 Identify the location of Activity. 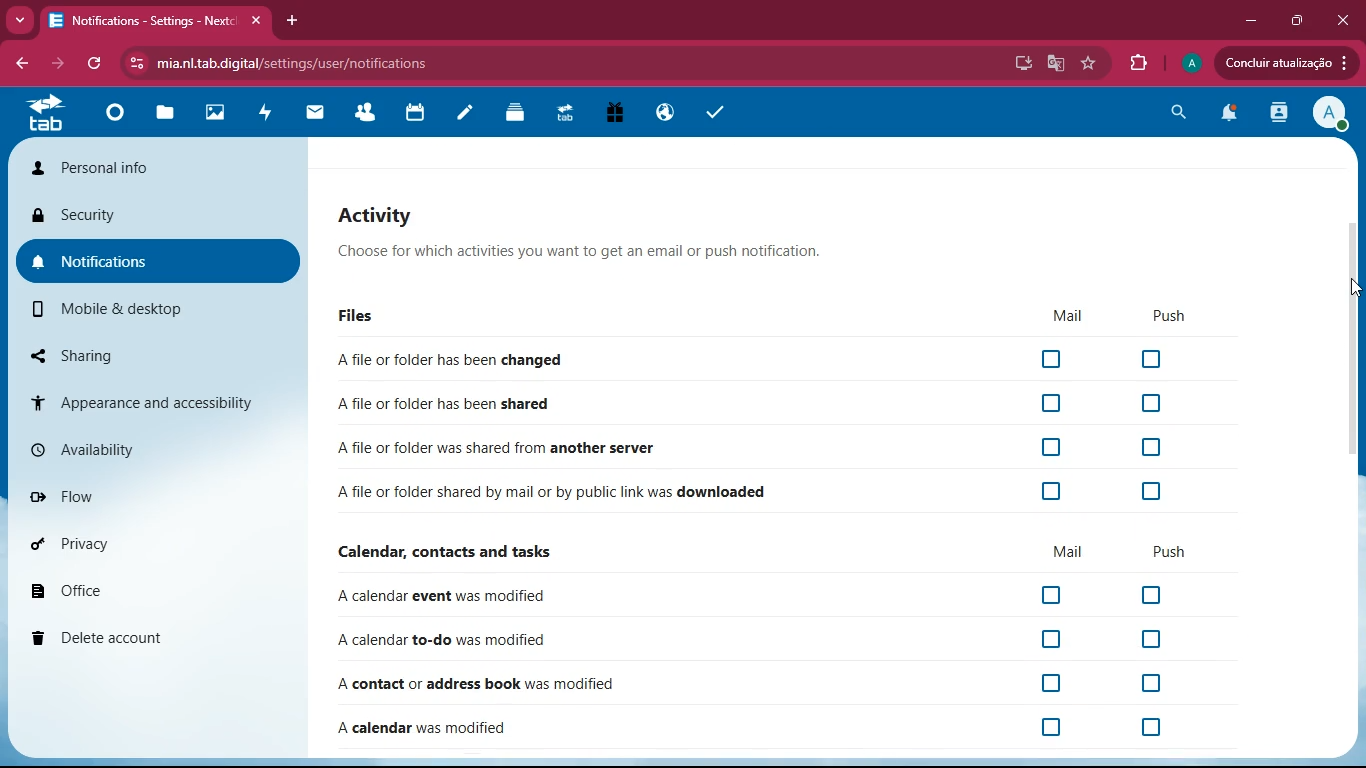
(582, 212).